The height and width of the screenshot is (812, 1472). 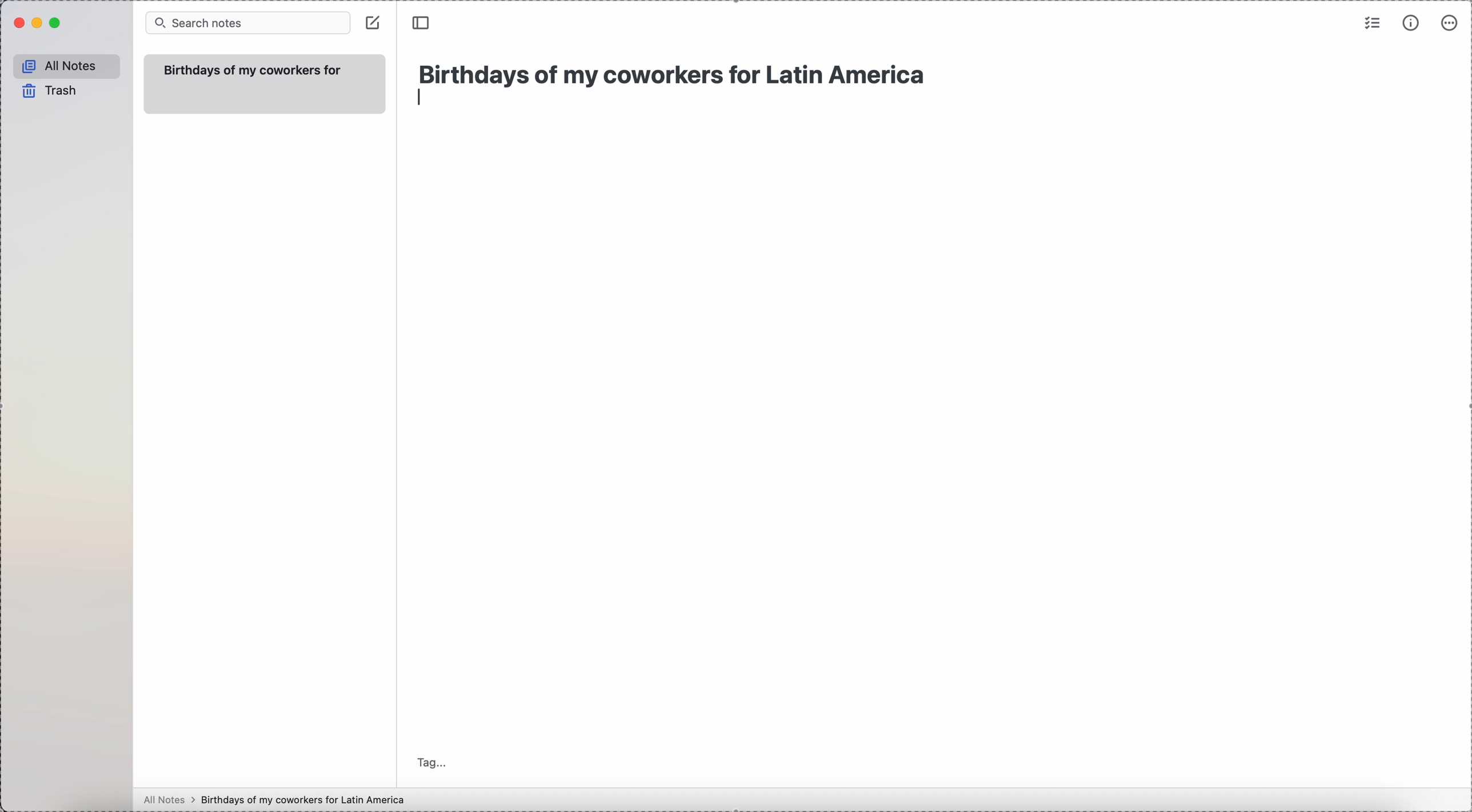 I want to click on toggle side bar, so click(x=422, y=23).